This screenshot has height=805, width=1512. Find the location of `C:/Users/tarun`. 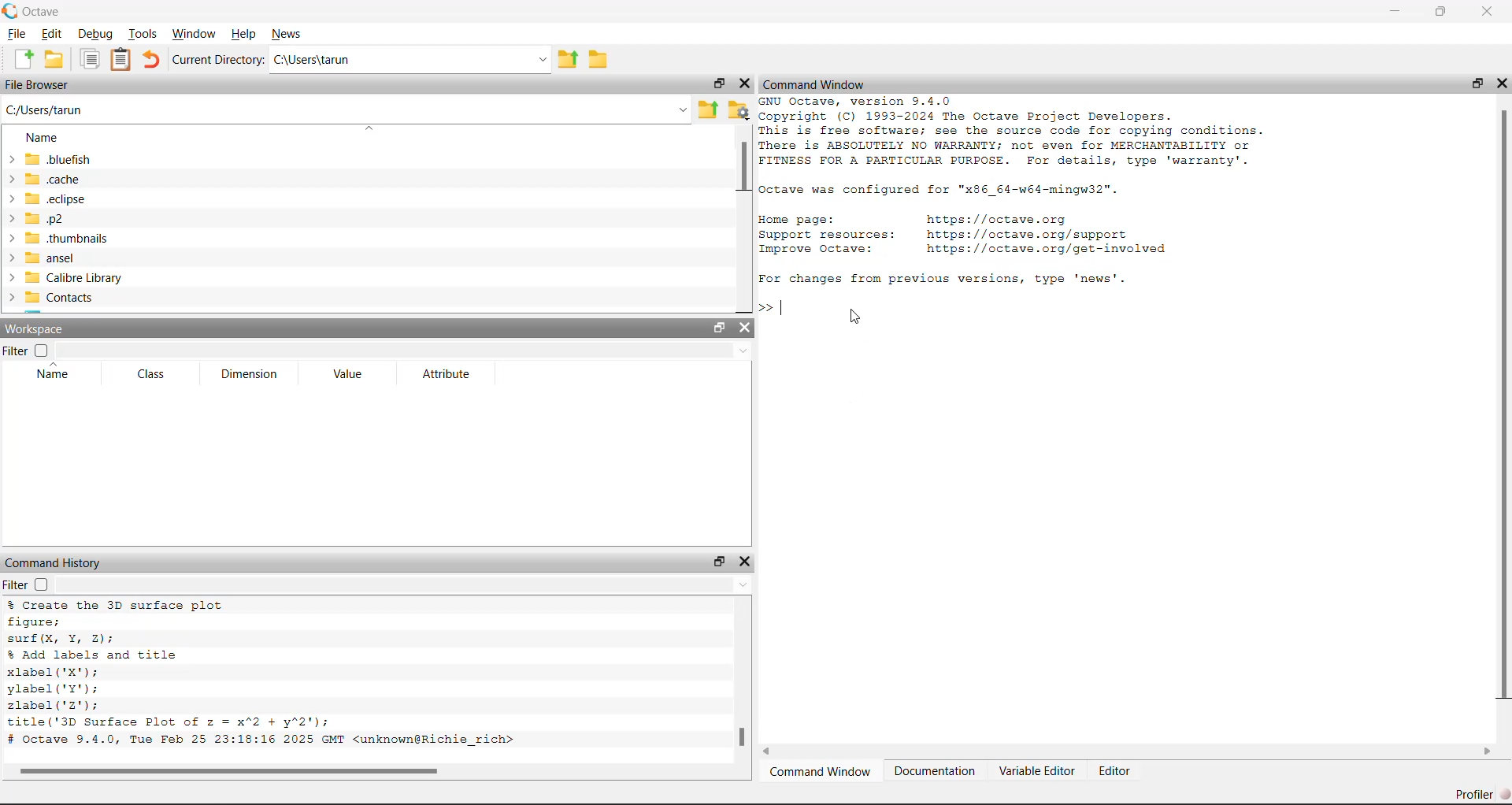

C:/Users/tarun is located at coordinates (347, 109).